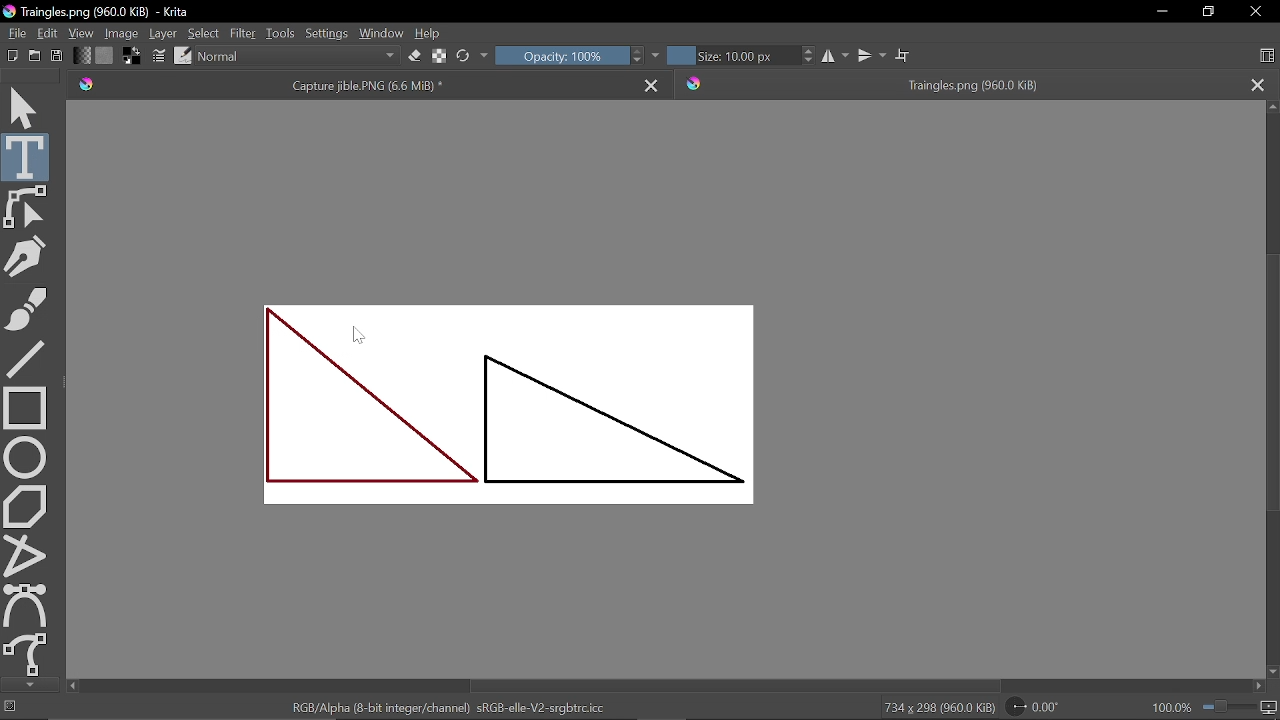 The width and height of the screenshot is (1280, 720). I want to click on Choose workspace, so click(1266, 56).